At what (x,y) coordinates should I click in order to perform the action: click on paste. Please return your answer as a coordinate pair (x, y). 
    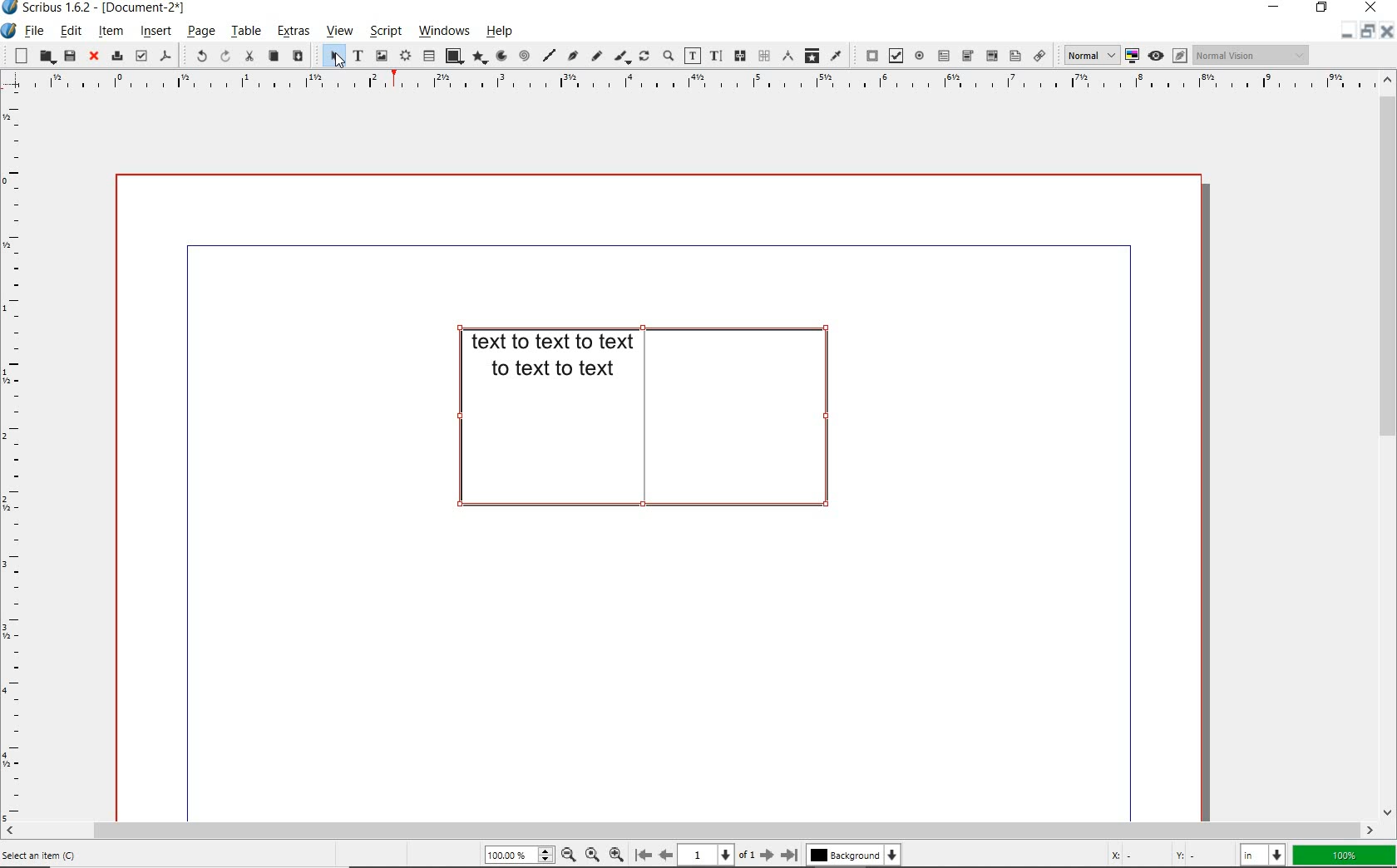
    Looking at the image, I should click on (299, 57).